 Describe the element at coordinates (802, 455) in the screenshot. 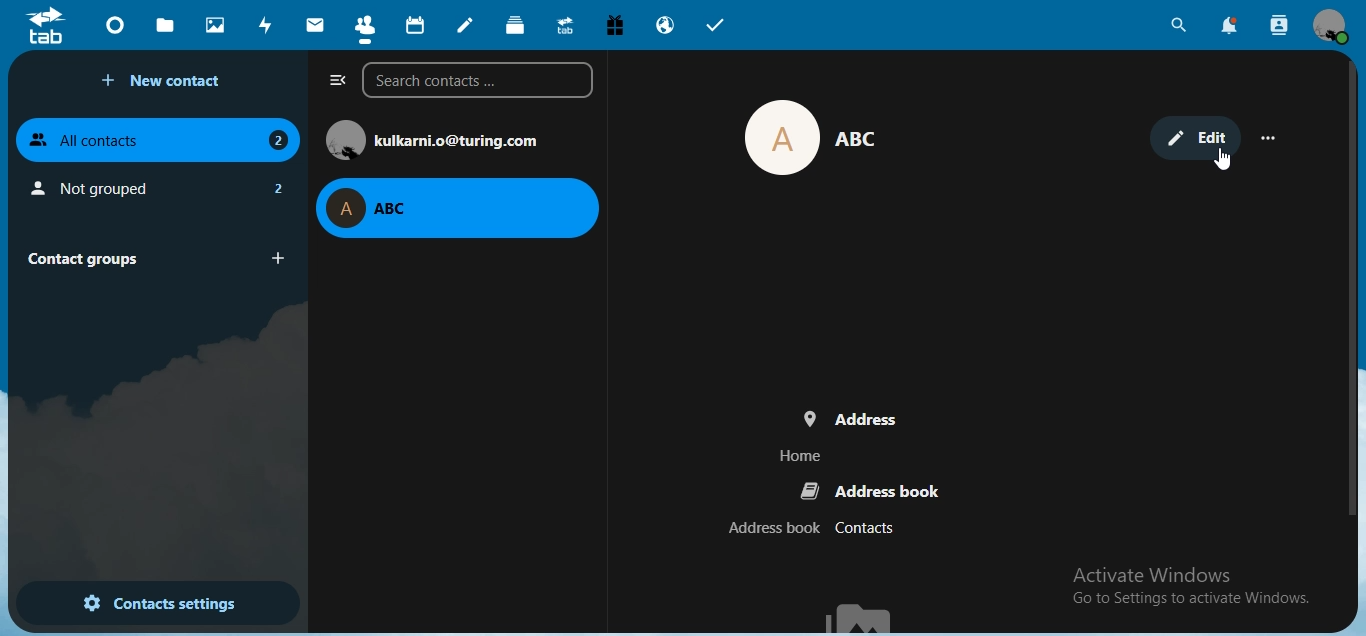

I see `home` at that location.